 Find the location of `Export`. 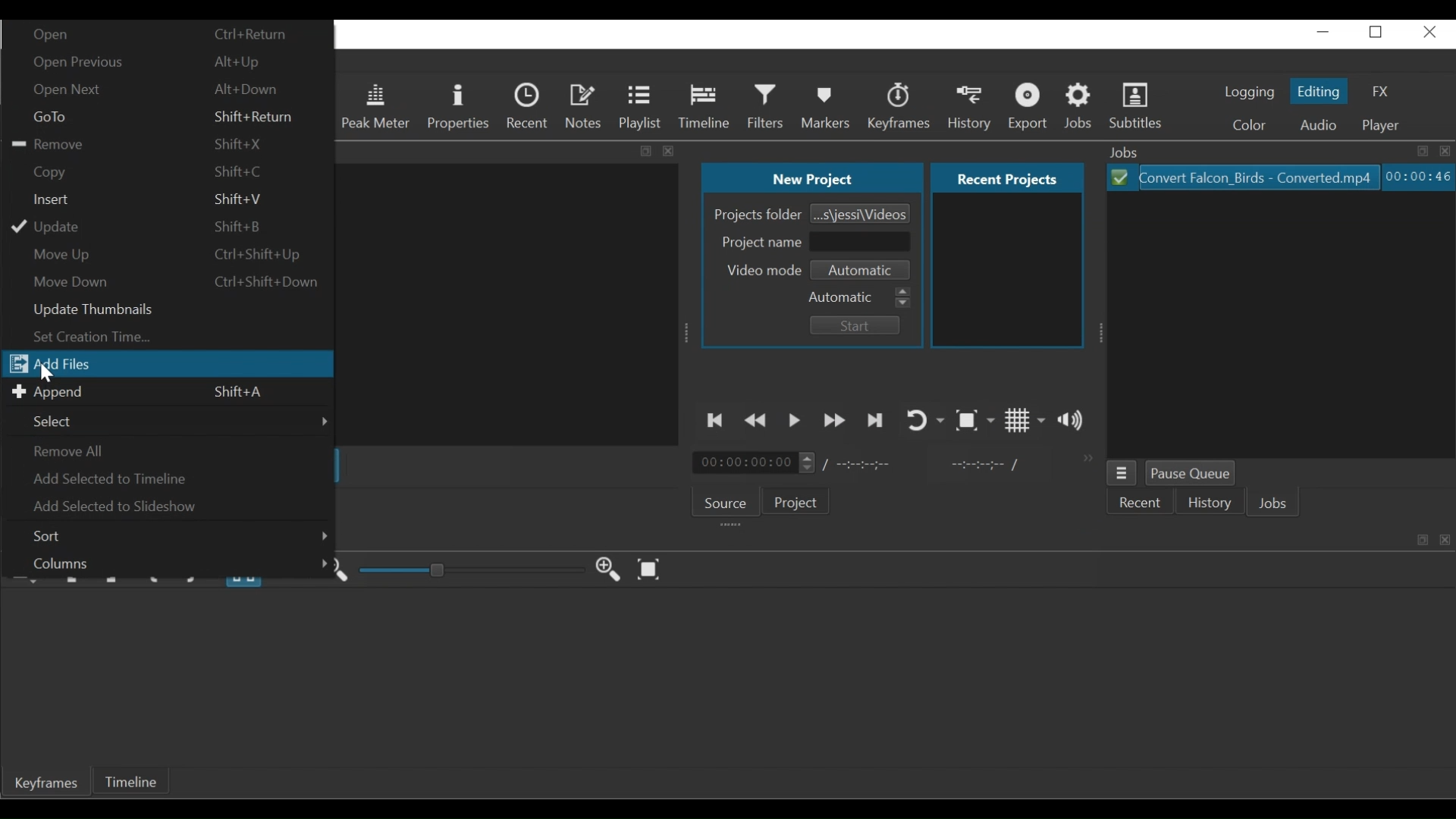

Export is located at coordinates (1031, 108).